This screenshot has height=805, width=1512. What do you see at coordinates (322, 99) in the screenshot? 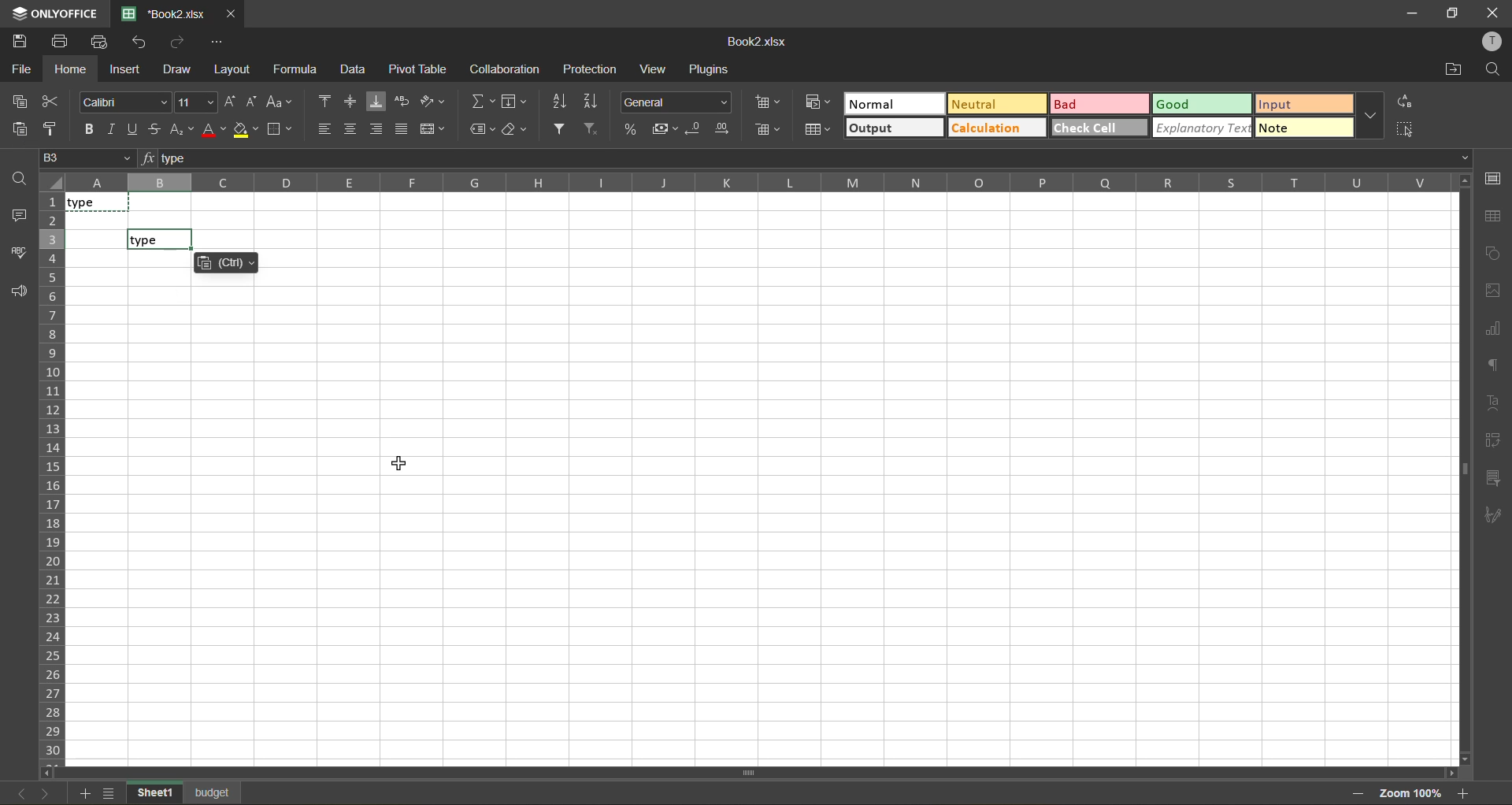
I see `align top` at bounding box center [322, 99].